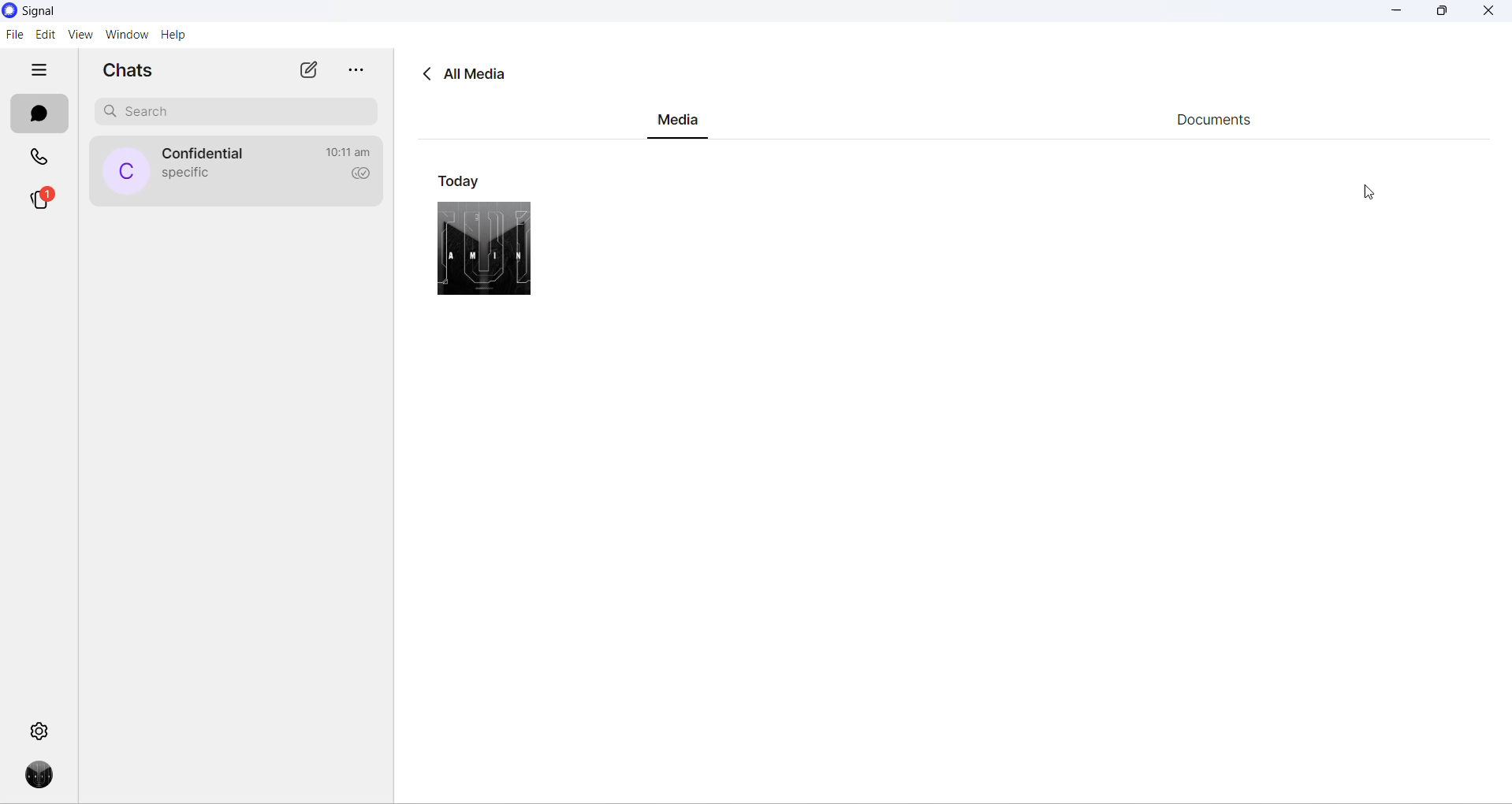  What do you see at coordinates (210, 154) in the screenshot?
I see `contact name` at bounding box center [210, 154].